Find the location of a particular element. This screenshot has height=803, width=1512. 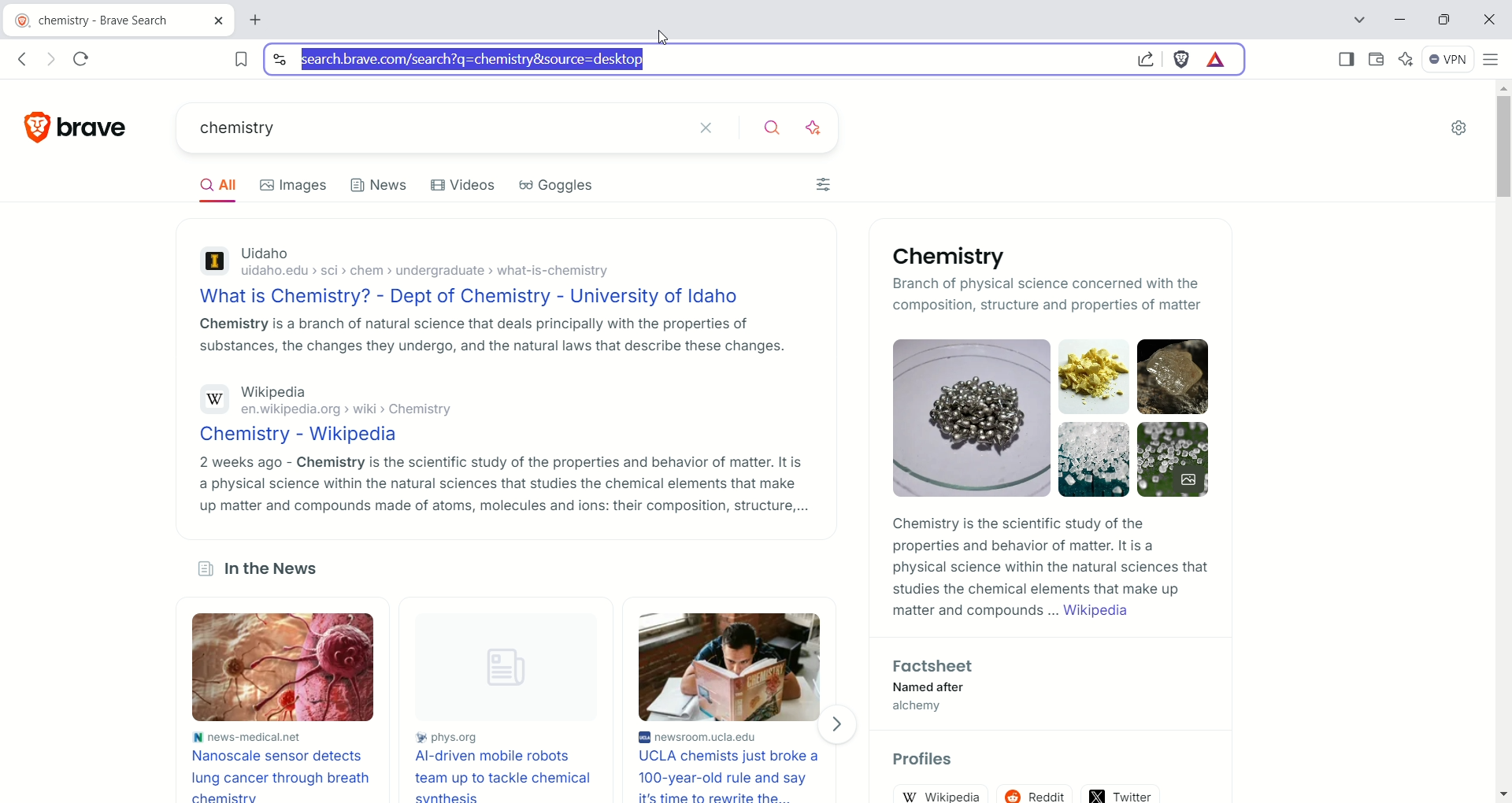

wallet is located at coordinates (1377, 61).